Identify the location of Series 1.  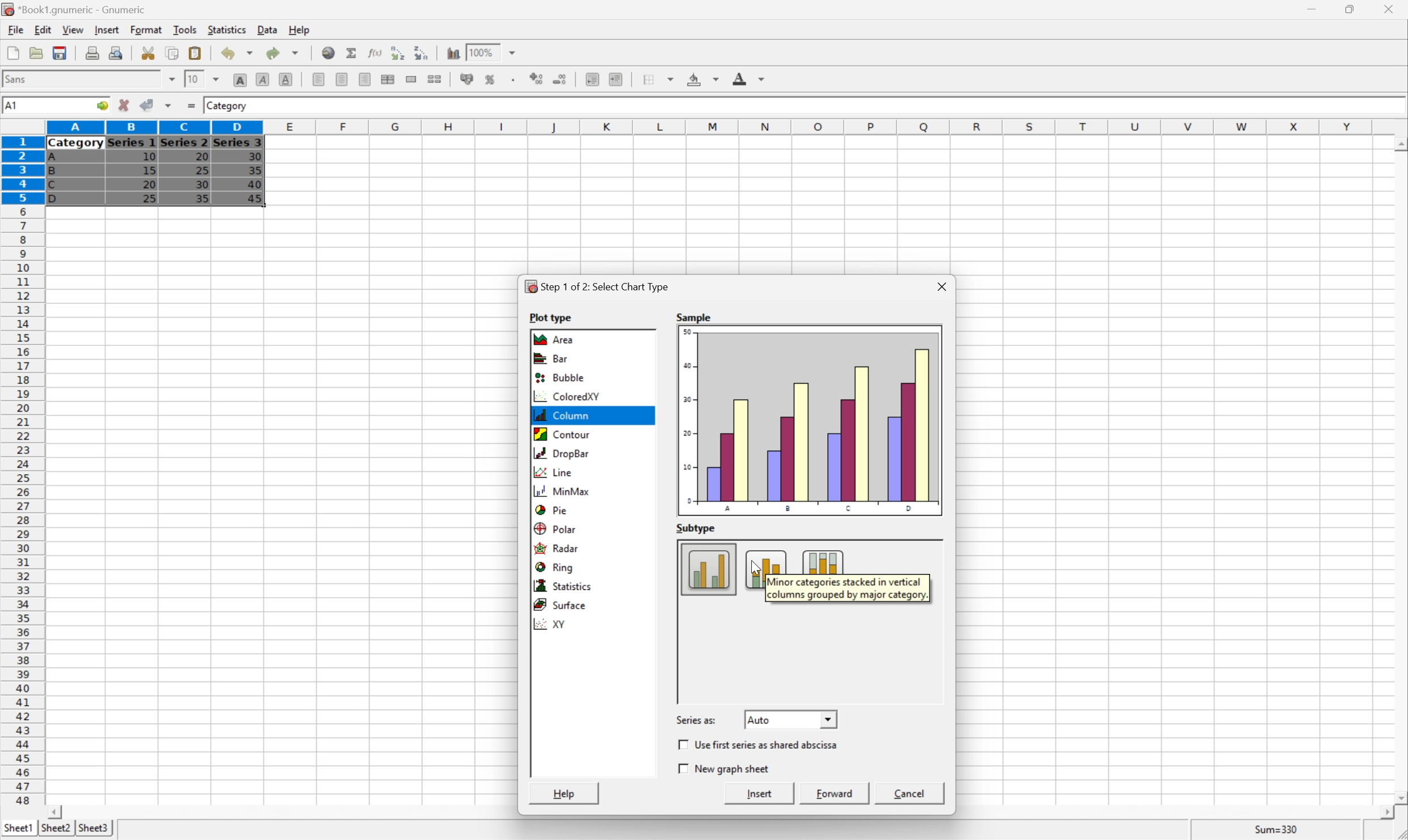
(132, 143).